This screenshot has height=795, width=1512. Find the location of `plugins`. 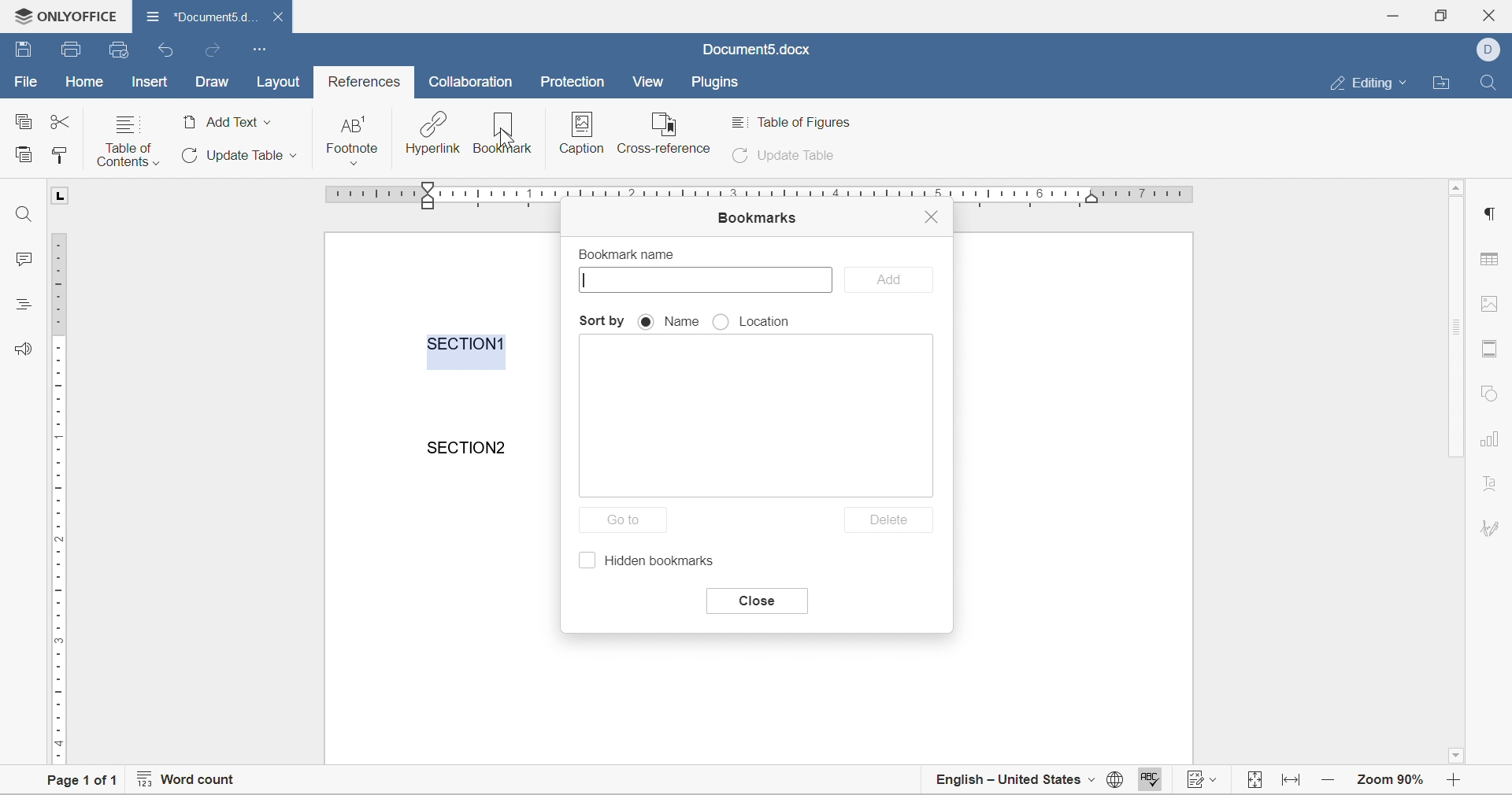

plugins is located at coordinates (716, 83).